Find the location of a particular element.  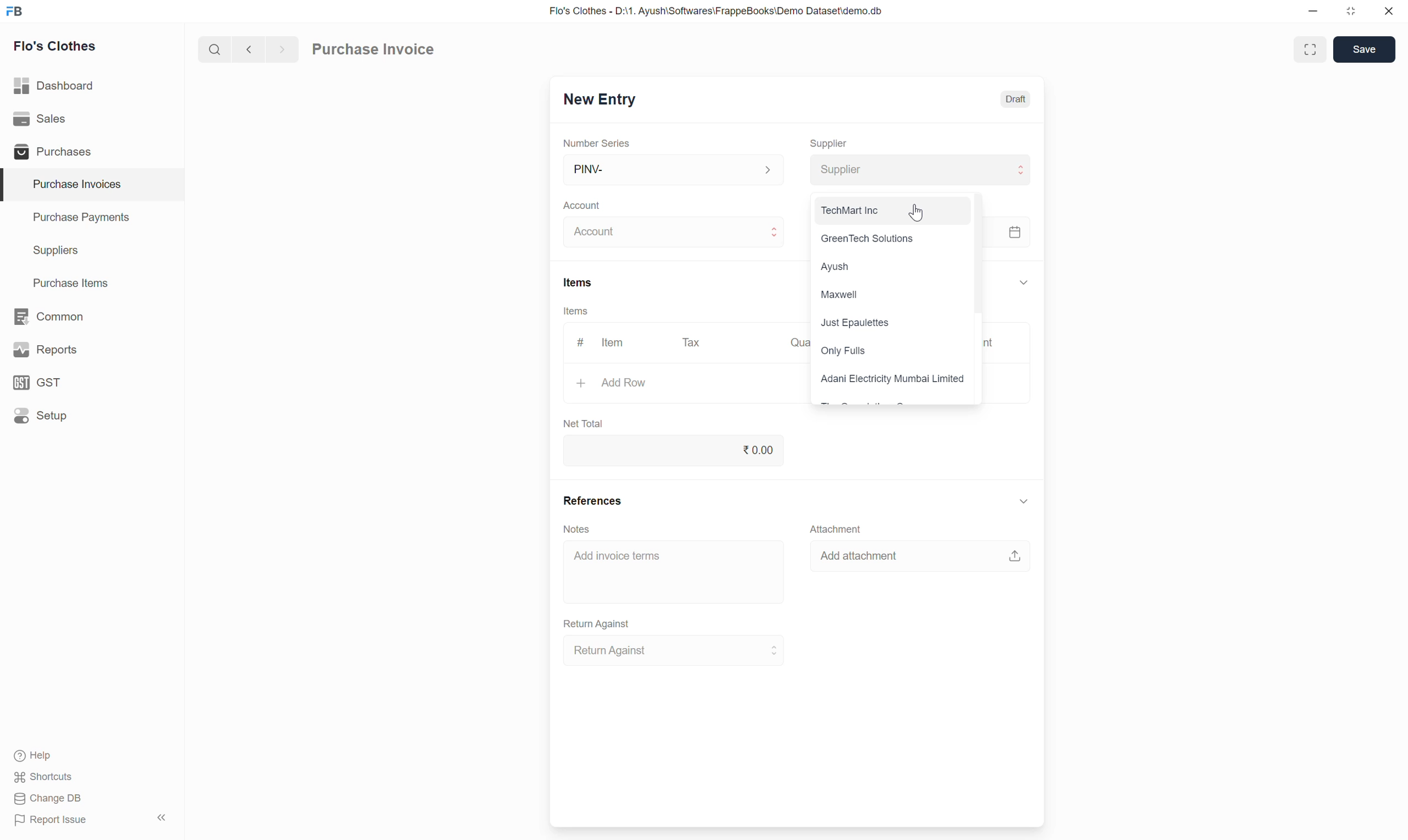

TechMart Inc is located at coordinates (892, 211).